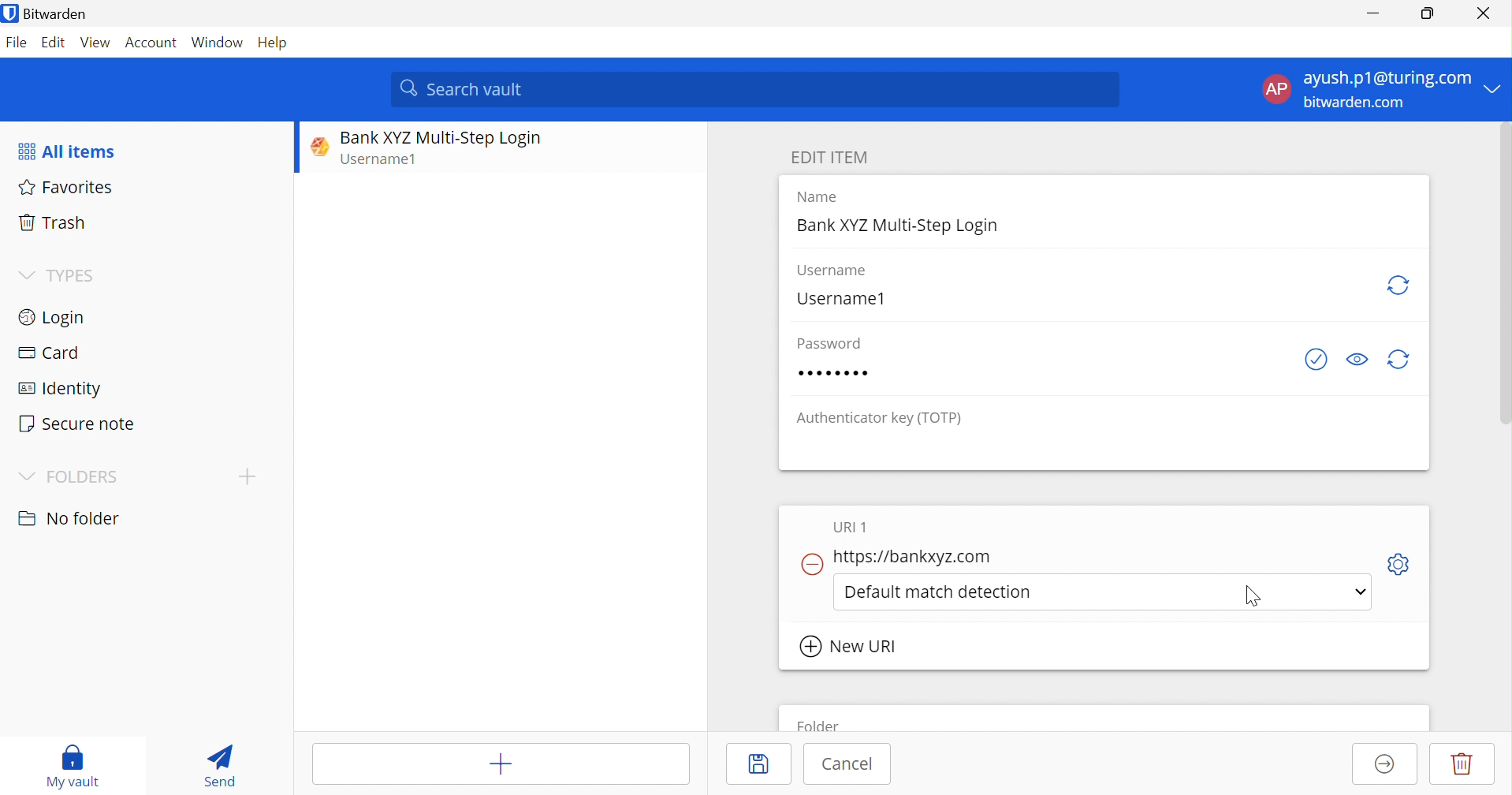  Describe the element at coordinates (821, 723) in the screenshot. I see `Folder` at that location.